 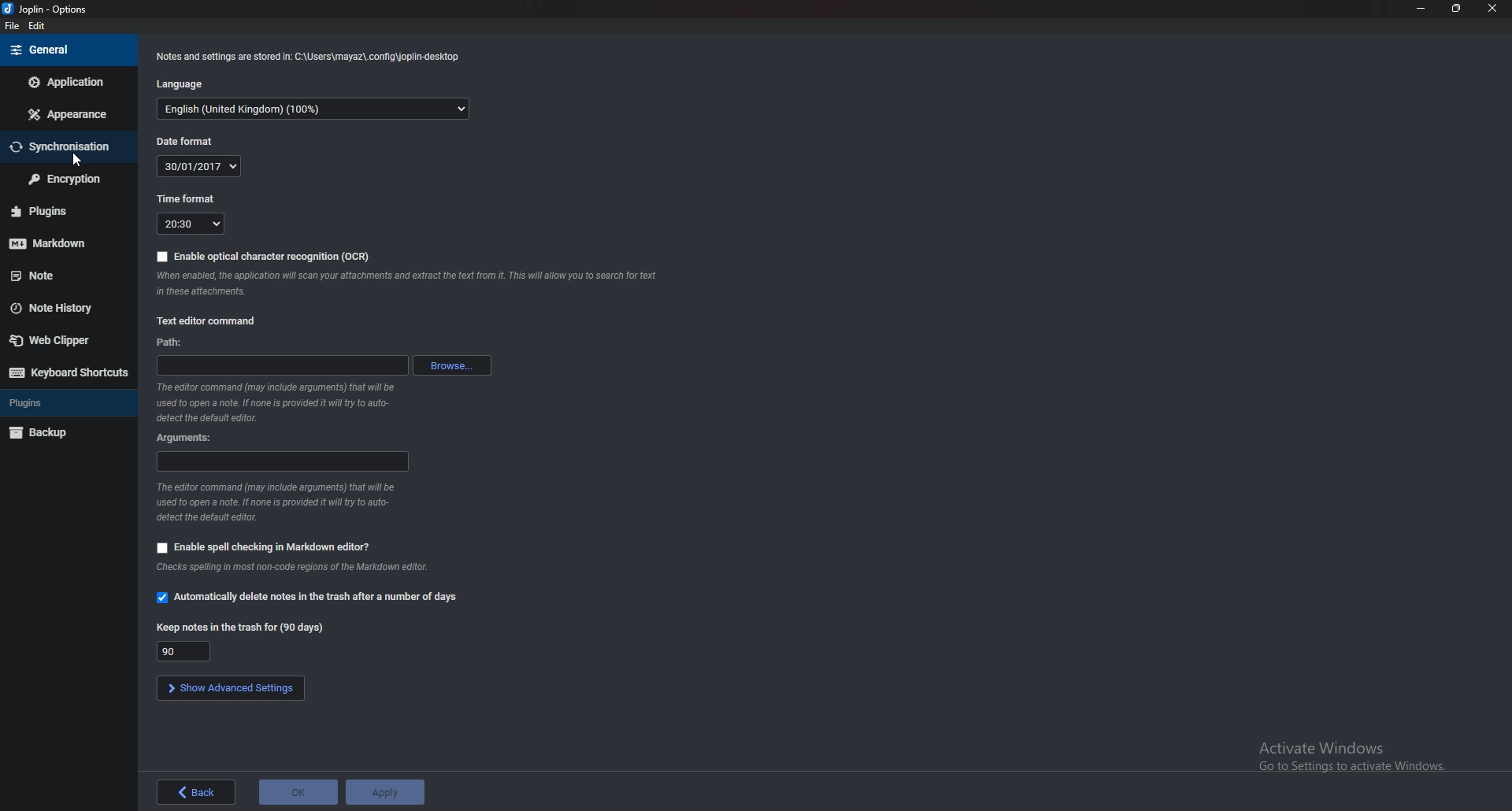 I want to click on keyboard, so click(x=68, y=371).